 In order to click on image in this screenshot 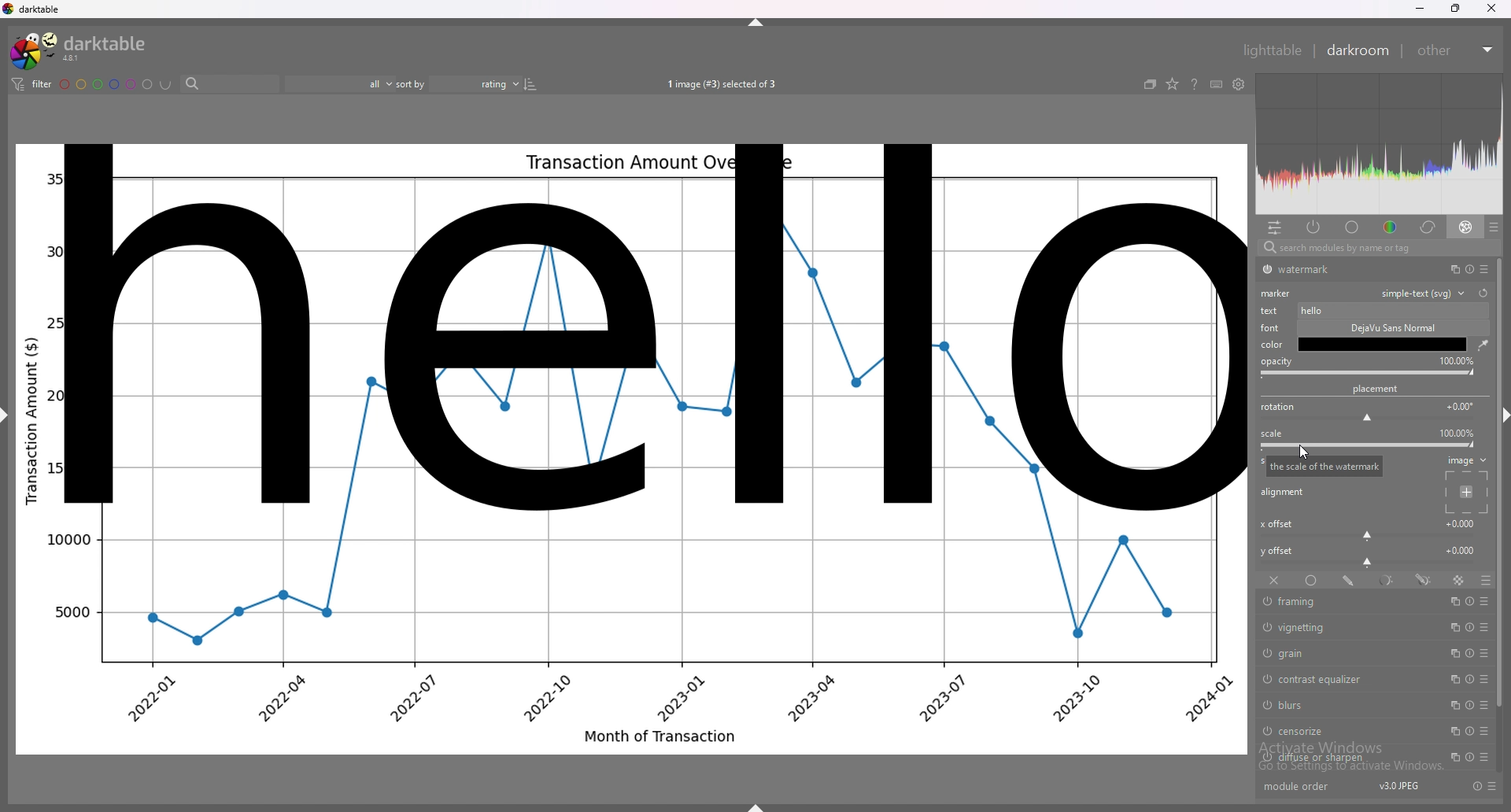, I will do `click(1467, 460)`.